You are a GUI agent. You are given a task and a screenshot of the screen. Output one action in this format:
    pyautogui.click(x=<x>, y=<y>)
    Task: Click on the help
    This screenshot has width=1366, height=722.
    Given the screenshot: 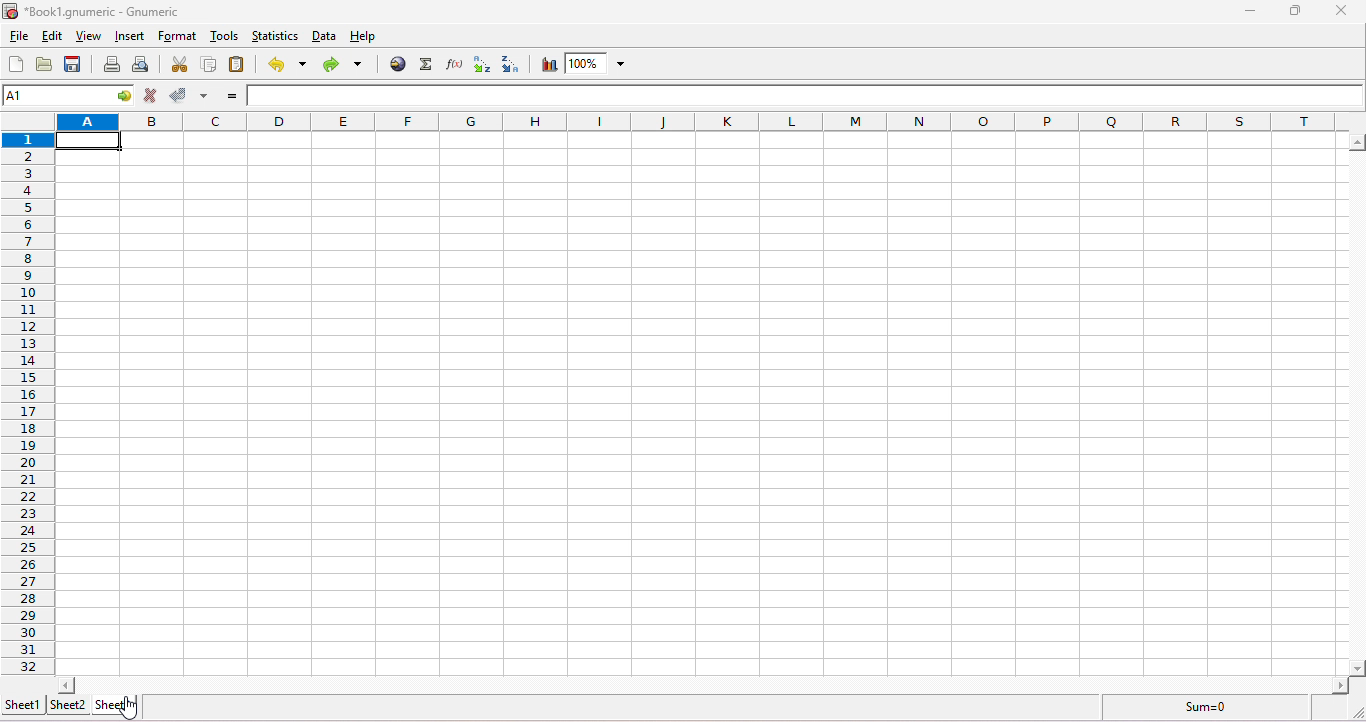 What is the action you would take?
    pyautogui.click(x=365, y=32)
    